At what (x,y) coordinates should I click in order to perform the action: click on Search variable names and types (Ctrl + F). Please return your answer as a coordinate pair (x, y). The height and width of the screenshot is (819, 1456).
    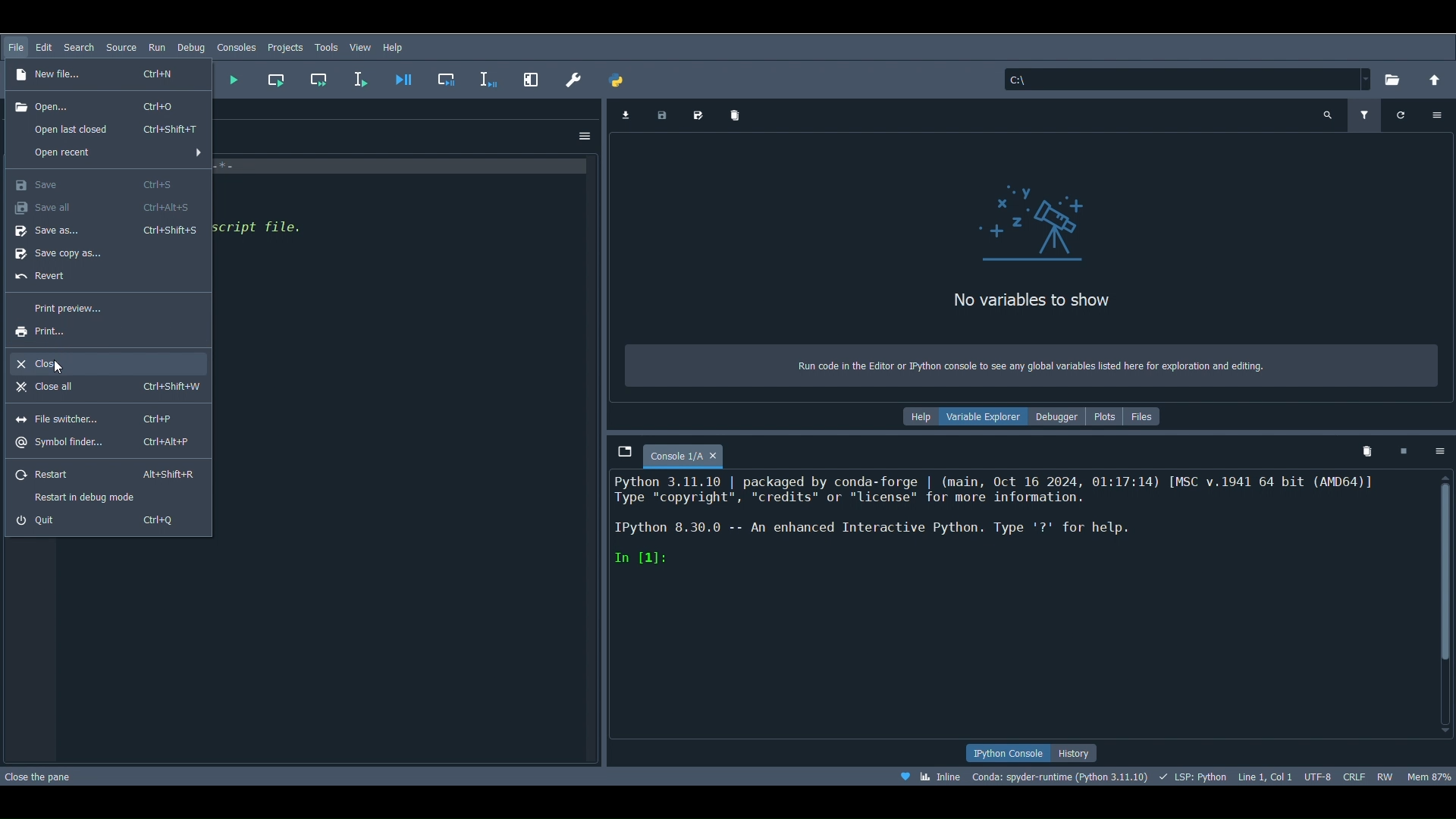
    Looking at the image, I should click on (1327, 112).